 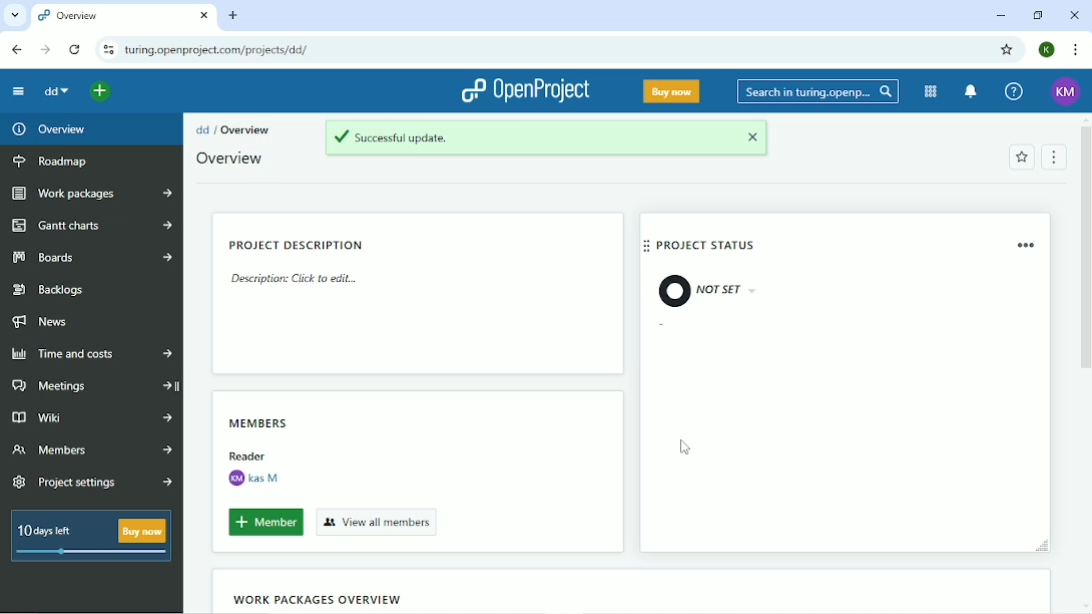 What do you see at coordinates (124, 17) in the screenshot?
I see `Current tab` at bounding box center [124, 17].